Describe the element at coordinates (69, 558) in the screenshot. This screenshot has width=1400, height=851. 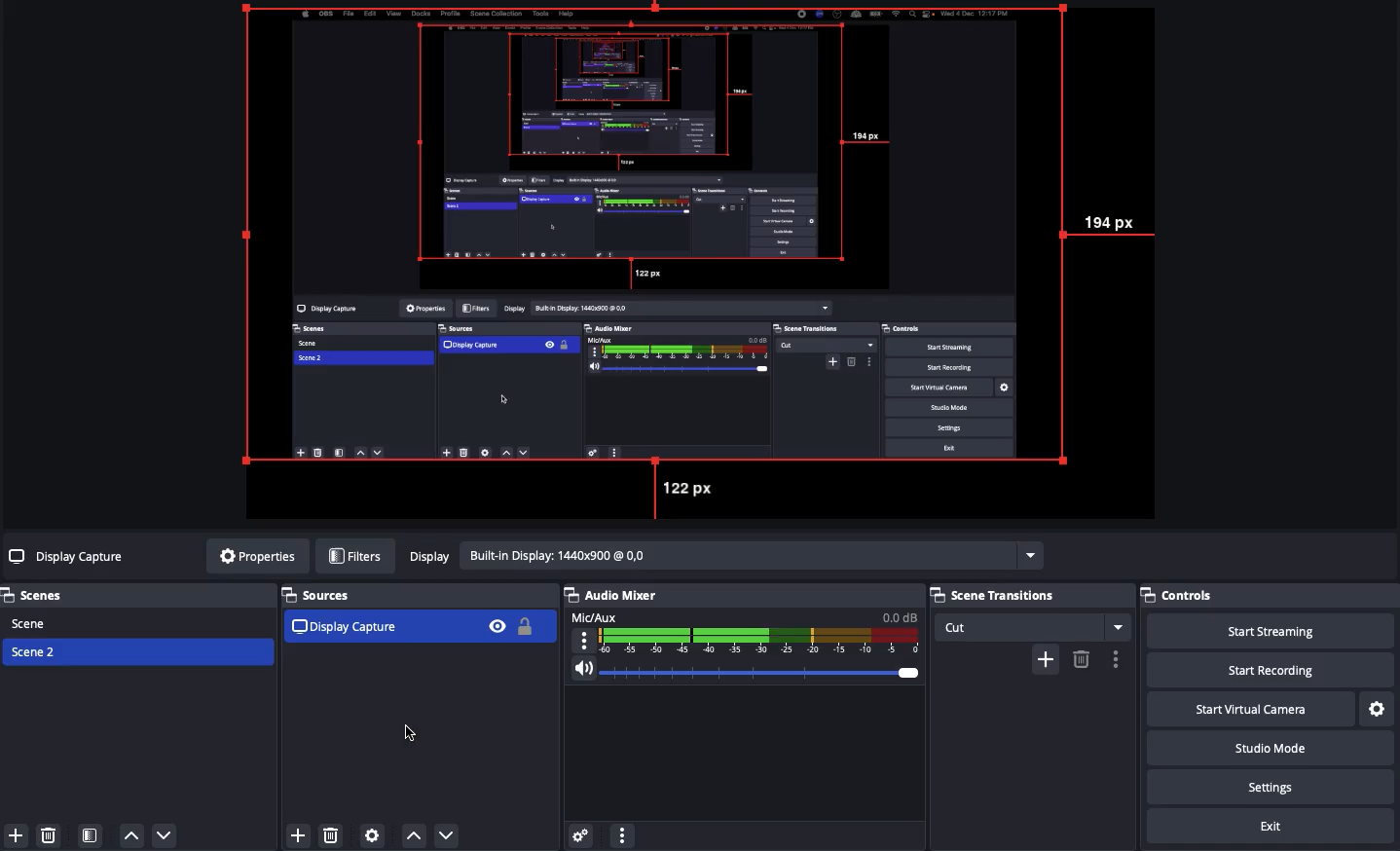
I see `No sources selected ` at that location.